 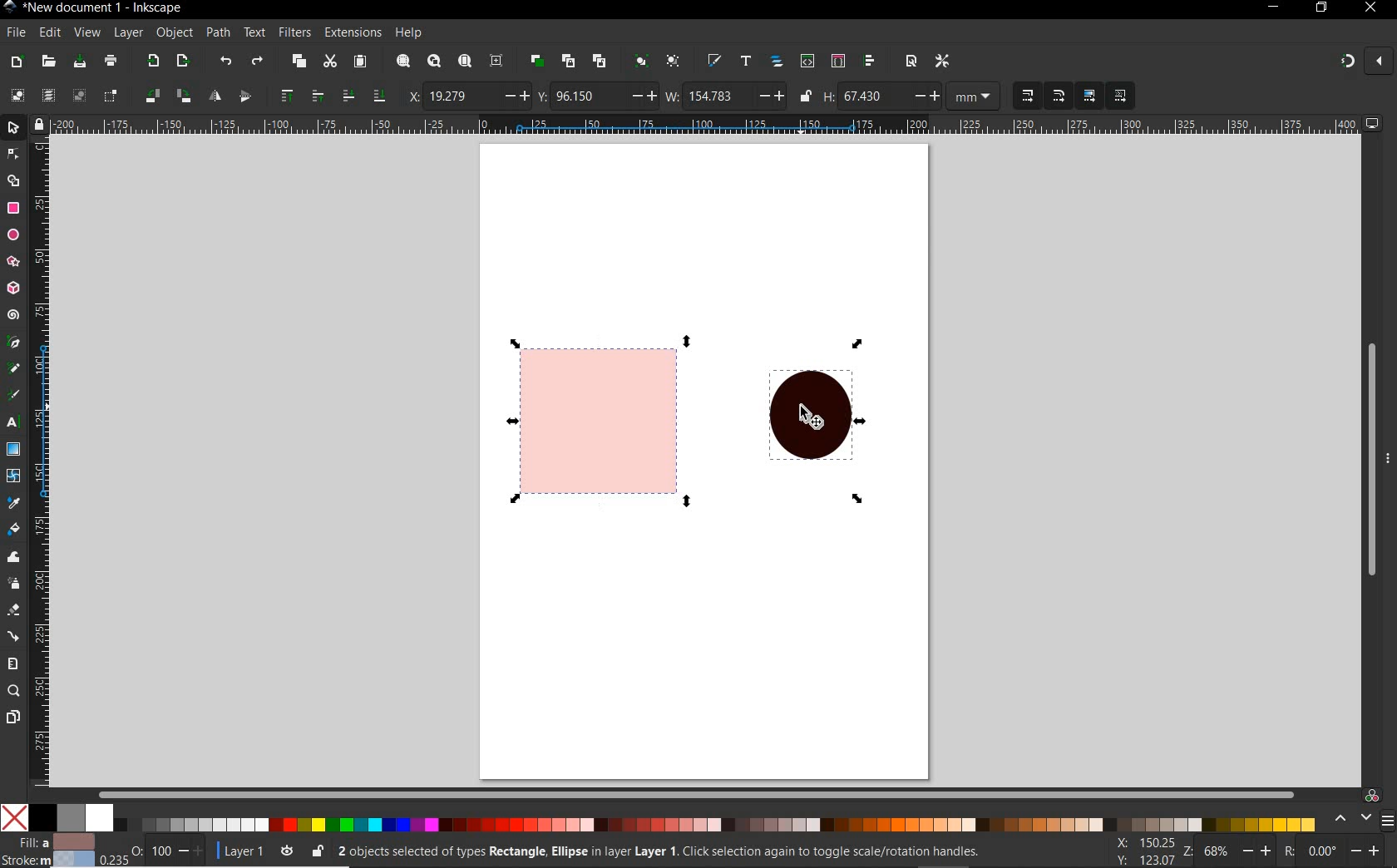 I want to click on close, so click(x=1369, y=8).